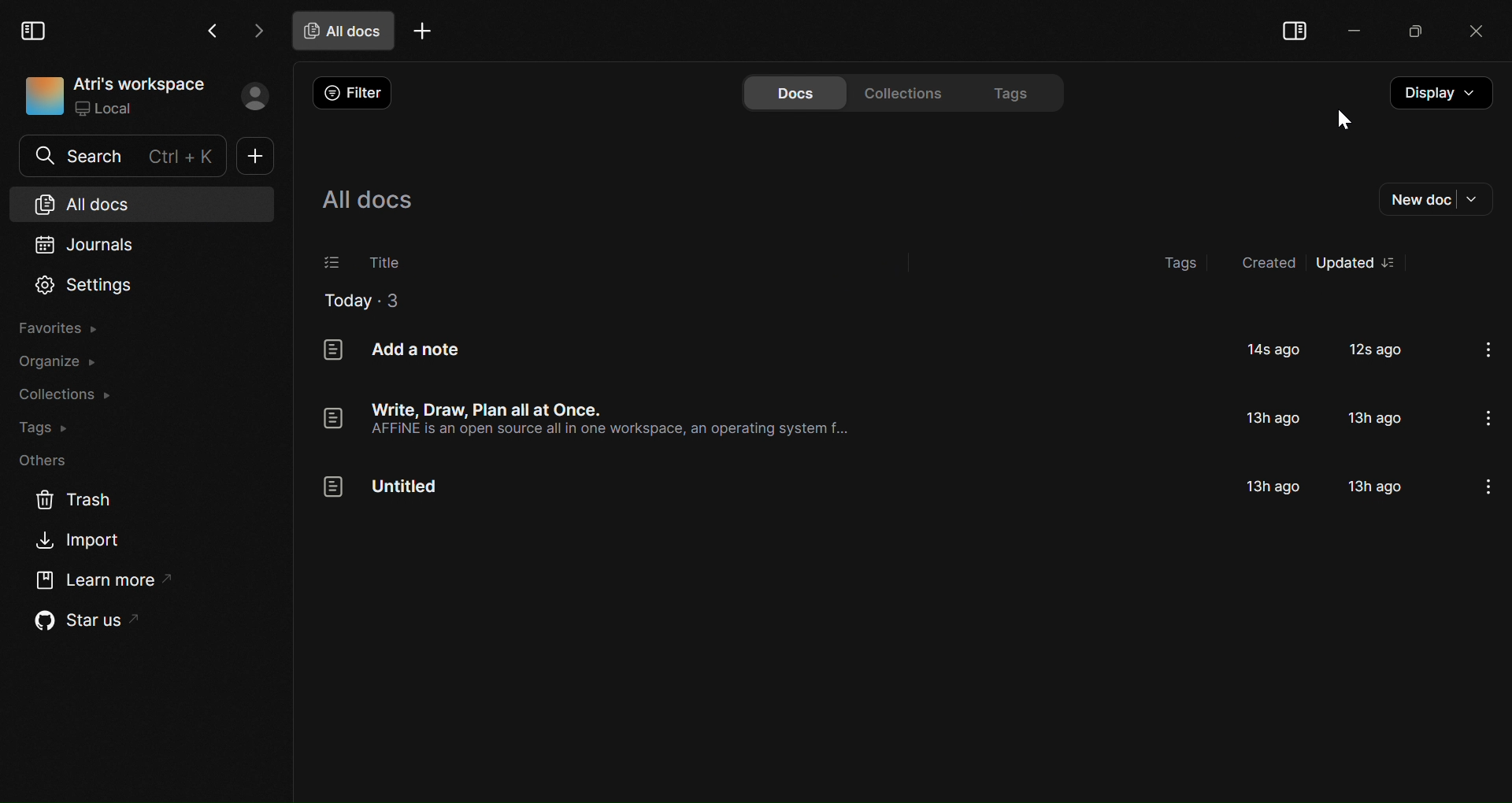  What do you see at coordinates (98, 579) in the screenshot?
I see `Learn More` at bounding box center [98, 579].